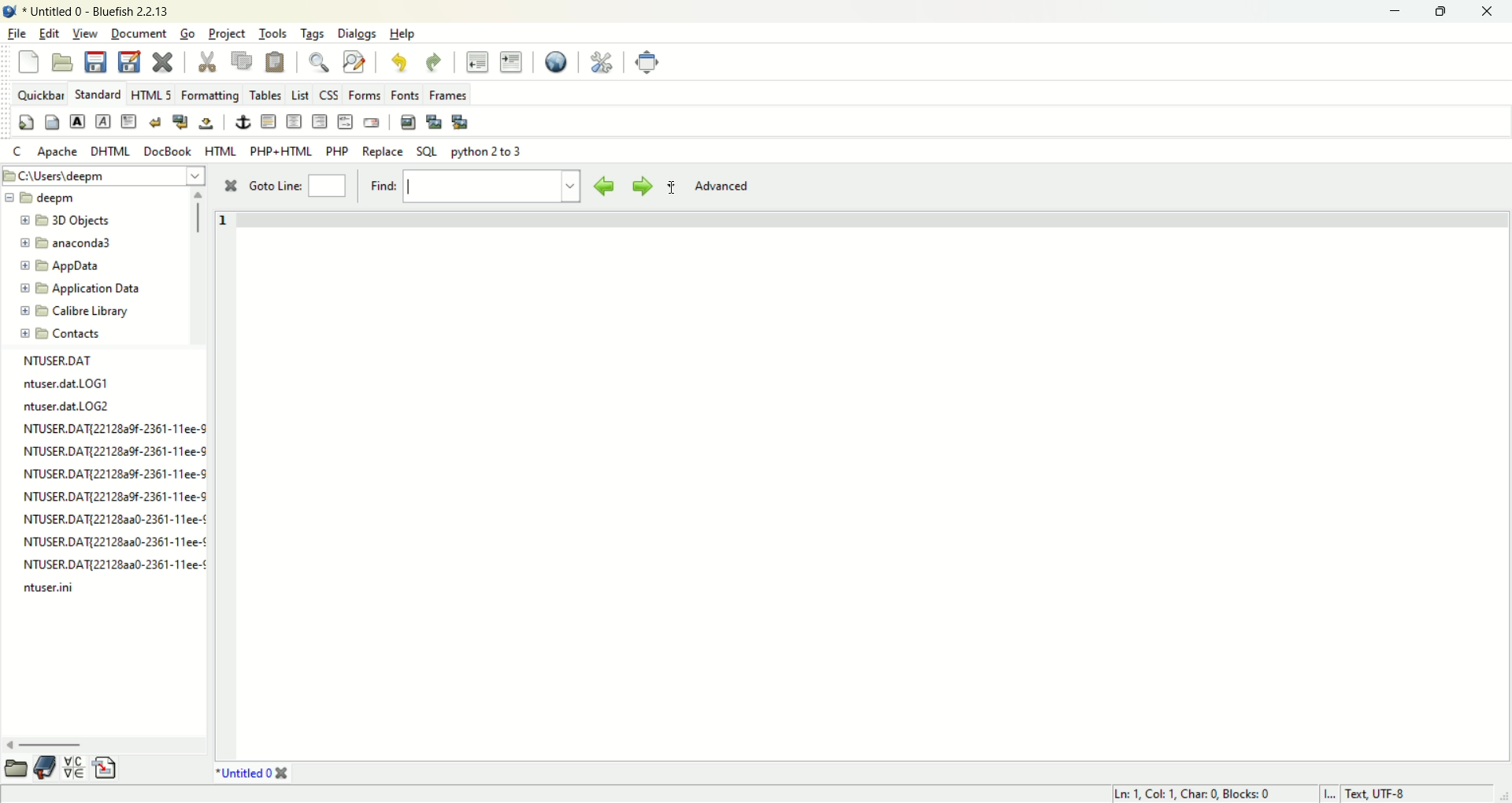 Image resolution: width=1512 pixels, height=803 pixels. What do you see at coordinates (282, 151) in the screenshot?
I see `PHP+HTML` at bounding box center [282, 151].